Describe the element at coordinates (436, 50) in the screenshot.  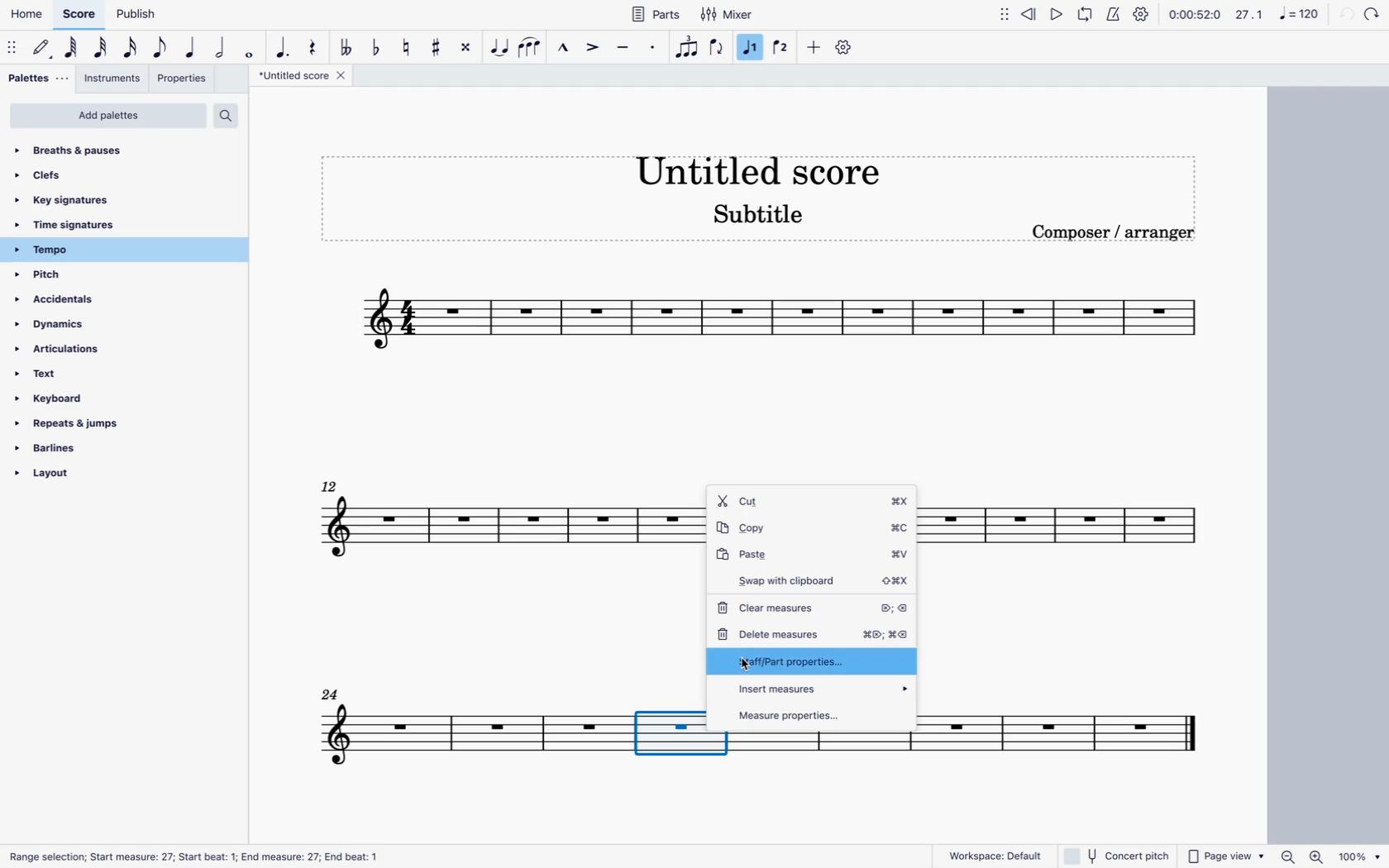
I see `toggle sharp` at that location.